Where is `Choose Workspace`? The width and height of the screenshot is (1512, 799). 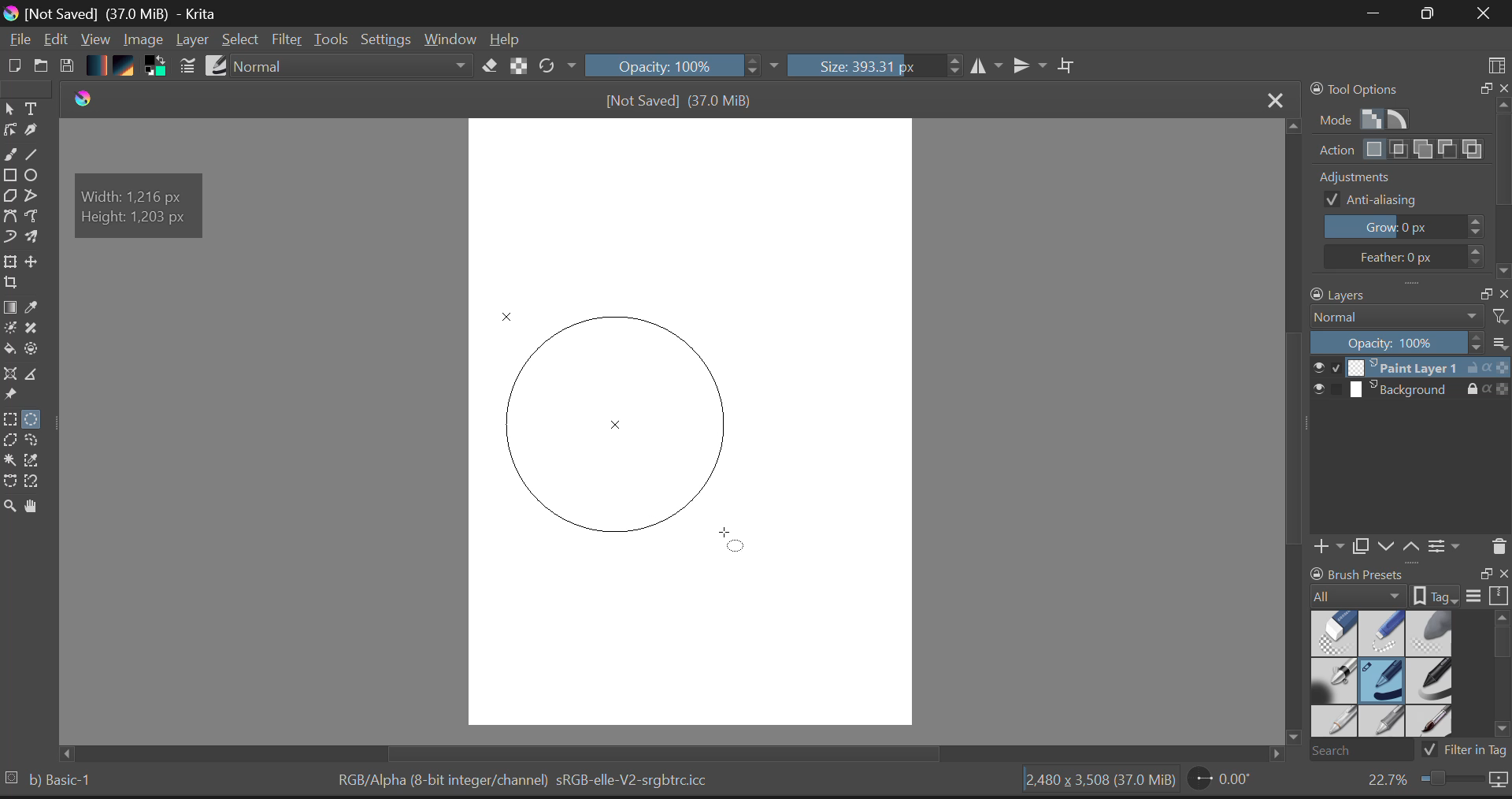
Choose Workspace is located at coordinates (1496, 60).